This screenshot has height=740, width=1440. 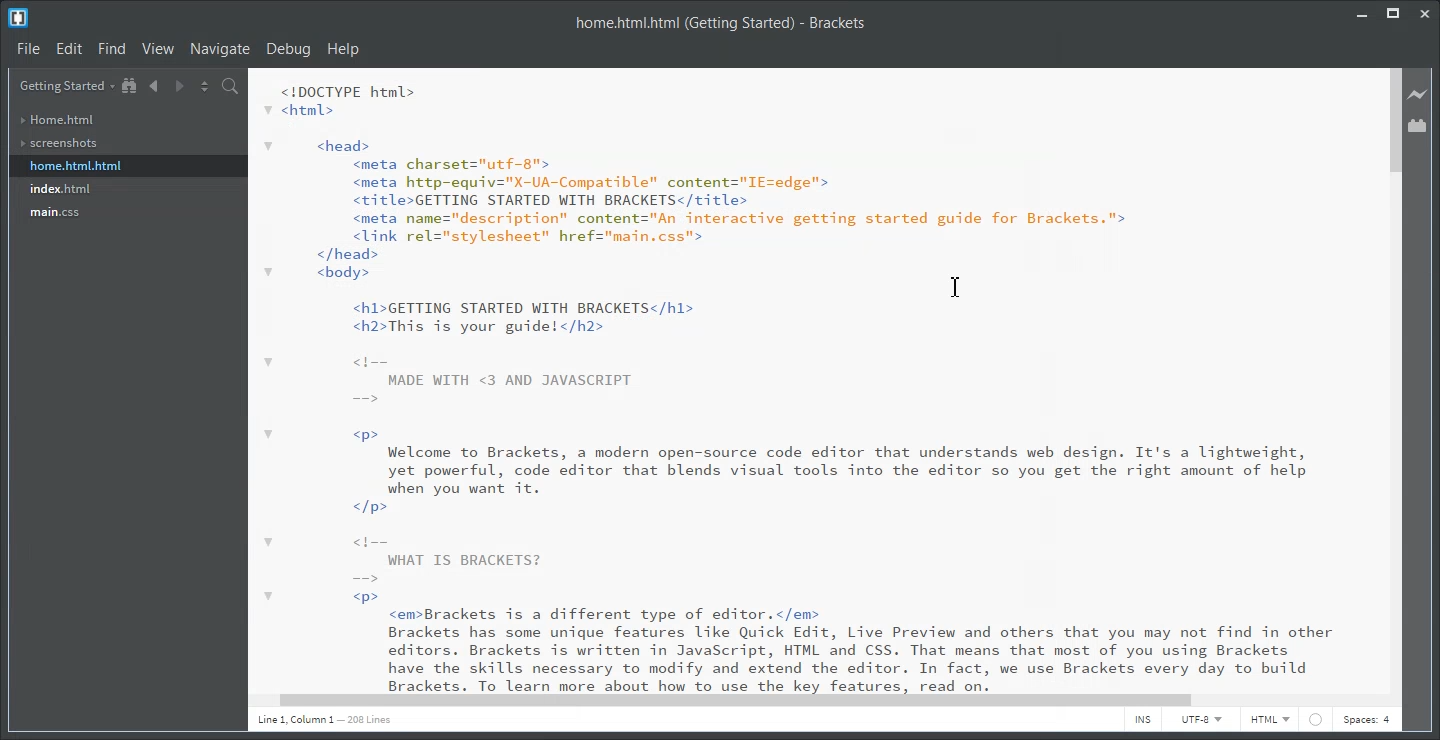 What do you see at coordinates (232, 87) in the screenshot?
I see `Find in Files` at bounding box center [232, 87].